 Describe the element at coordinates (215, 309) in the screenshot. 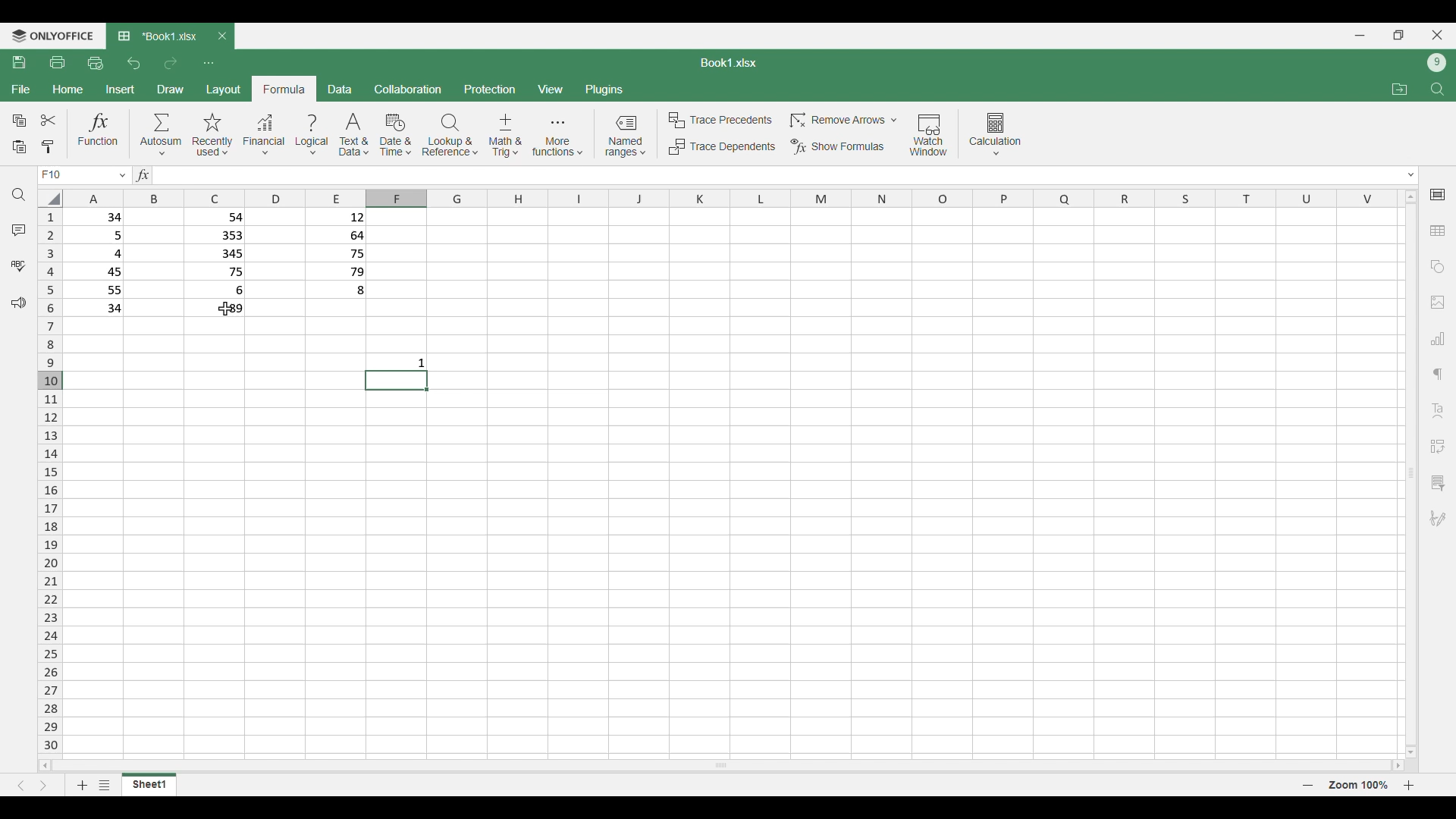

I see `Indicates cell is used in current function` at that location.